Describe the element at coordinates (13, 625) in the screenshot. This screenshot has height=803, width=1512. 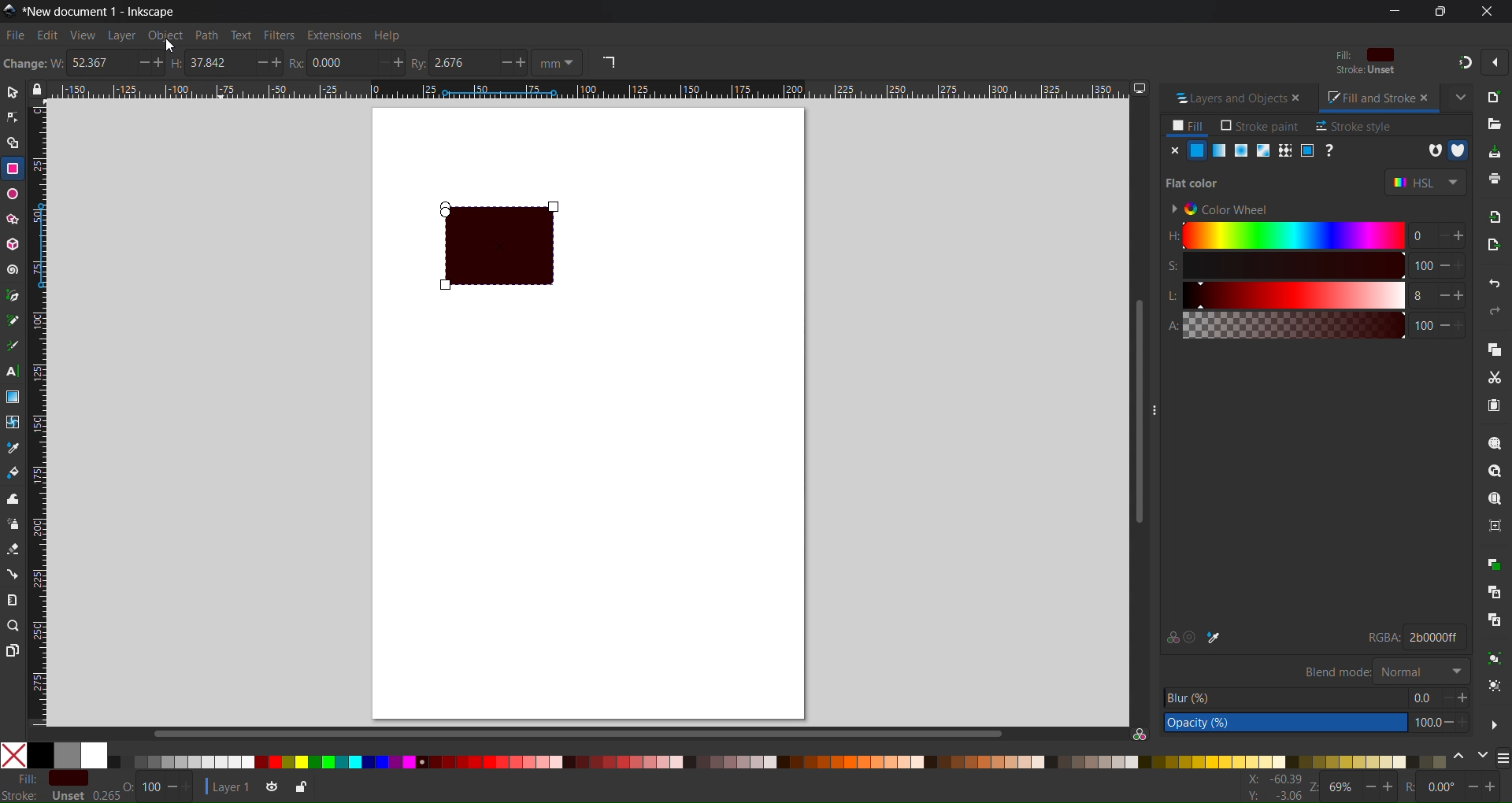
I see `Zoom tool` at that location.